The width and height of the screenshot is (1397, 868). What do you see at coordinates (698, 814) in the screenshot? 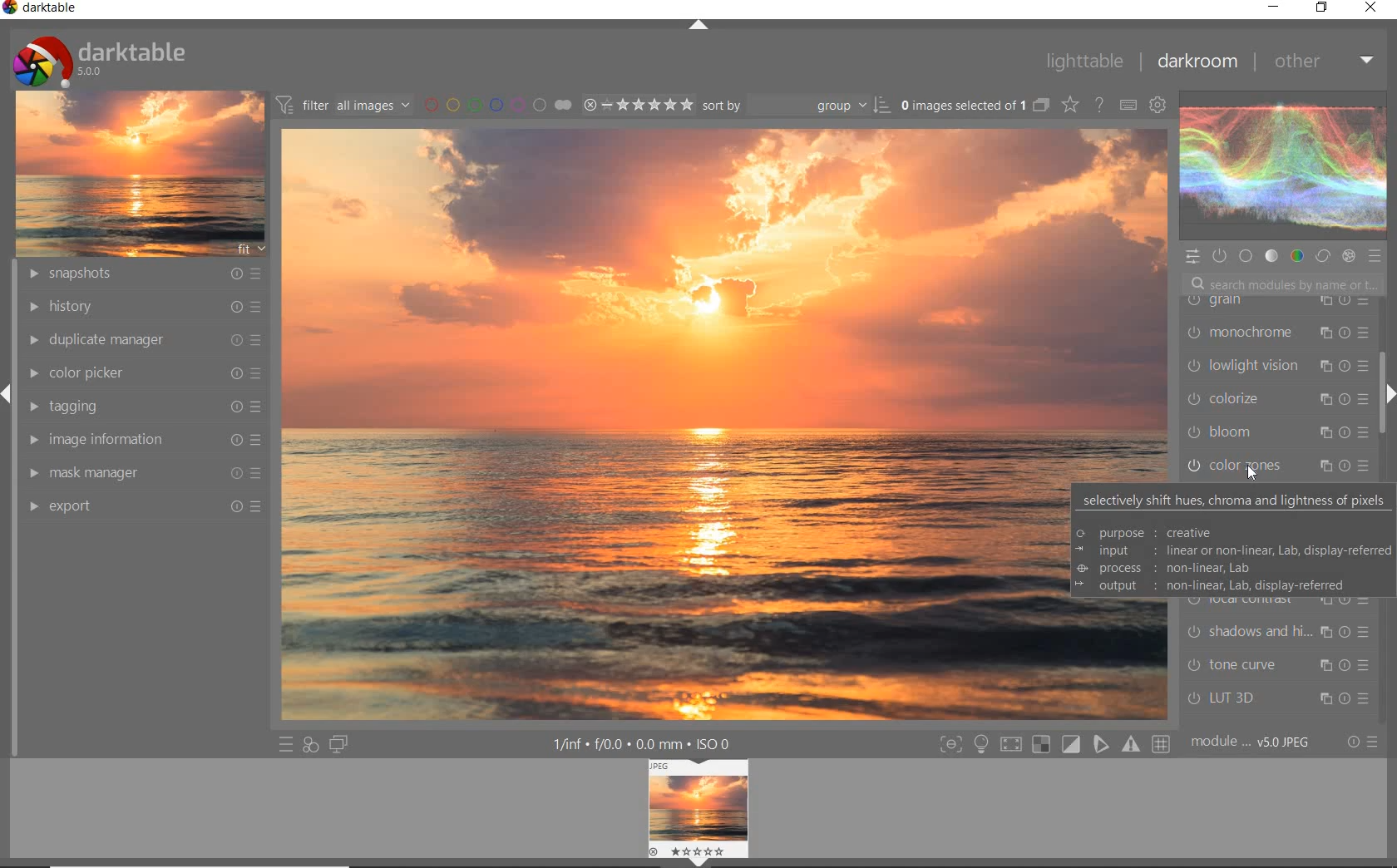
I see `IMAGE PREVIEW` at bounding box center [698, 814].